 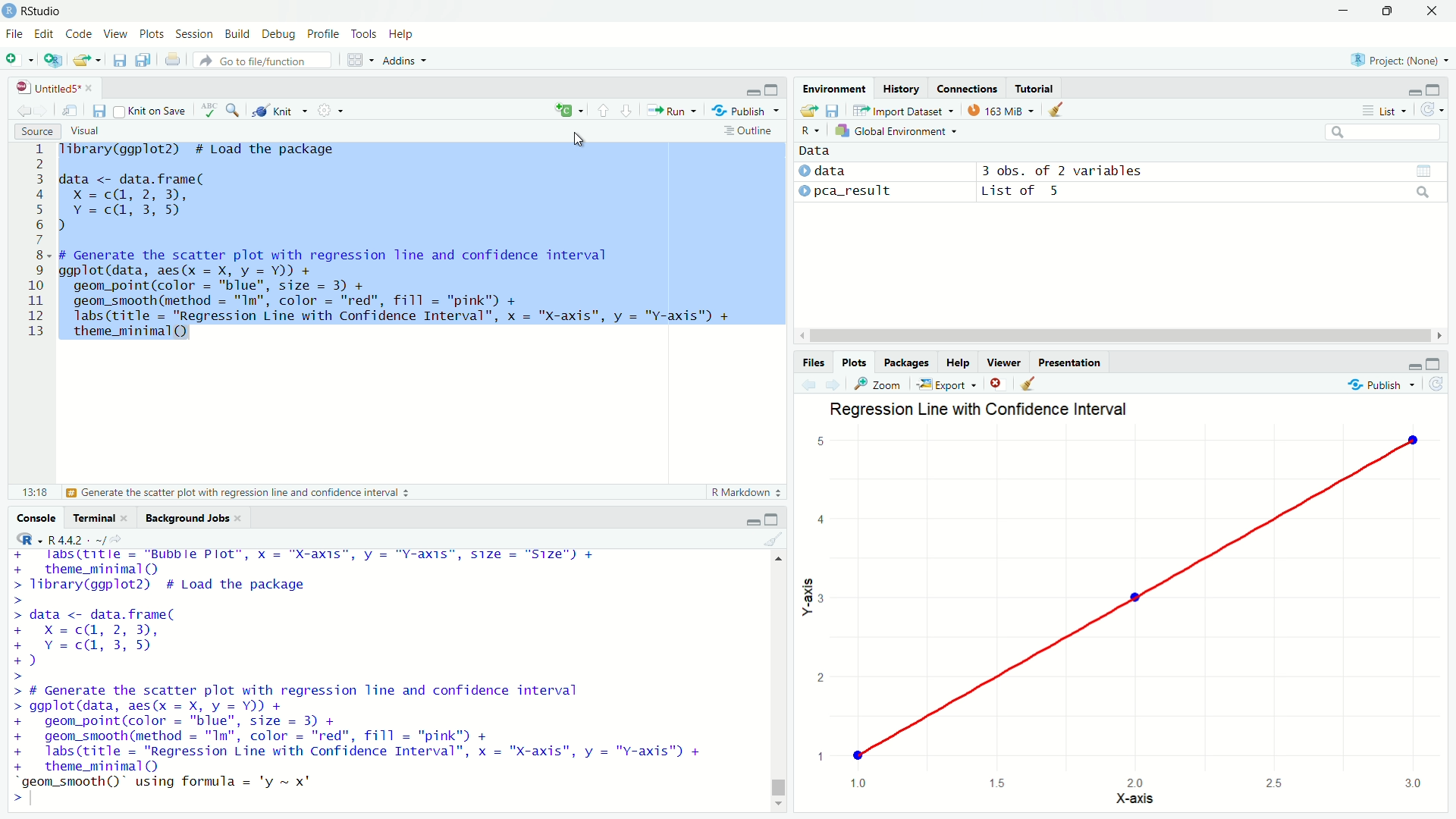 I want to click on line numbers, so click(x=34, y=242).